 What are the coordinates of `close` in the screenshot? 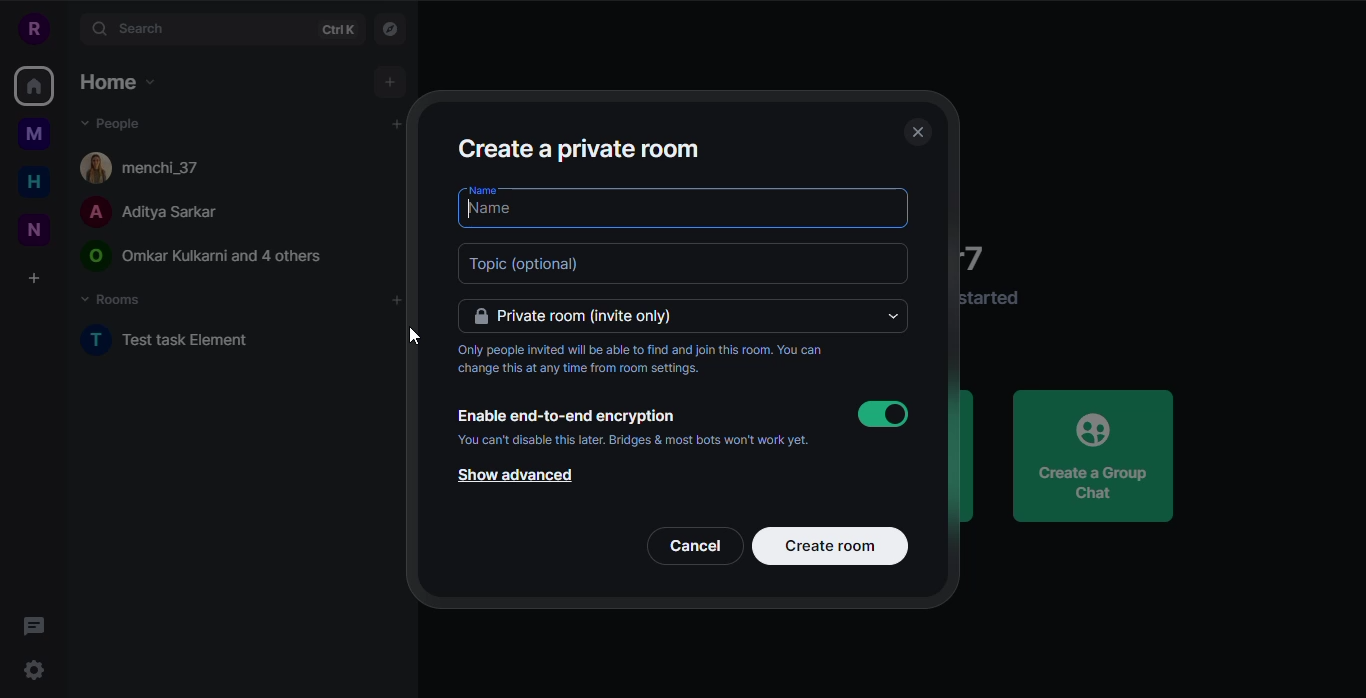 It's located at (916, 133).